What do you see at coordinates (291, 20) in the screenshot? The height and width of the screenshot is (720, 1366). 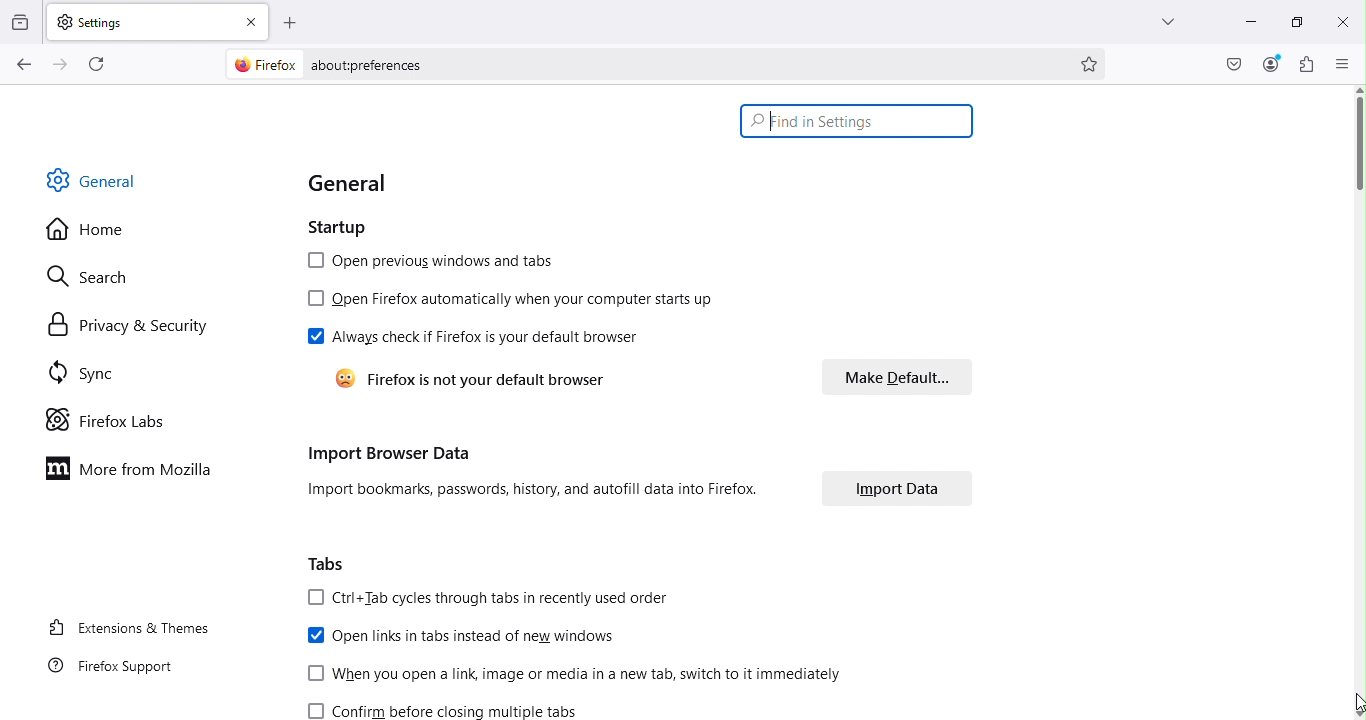 I see `Open a new tab` at bounding box center [291, 20].